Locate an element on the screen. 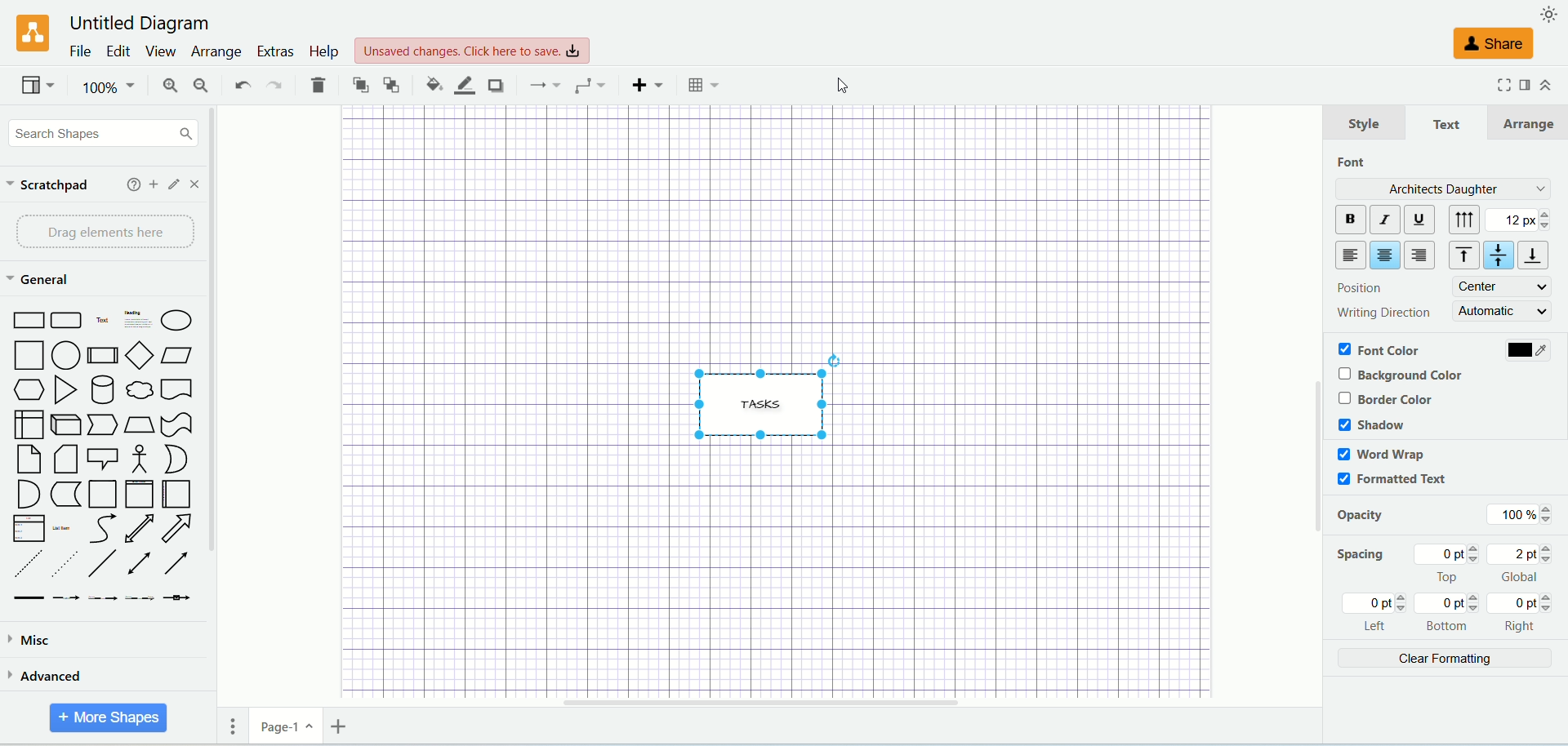 The height and width of the screenshot is (746, 1568). 2 pt is located at coordinates (1521, 220).